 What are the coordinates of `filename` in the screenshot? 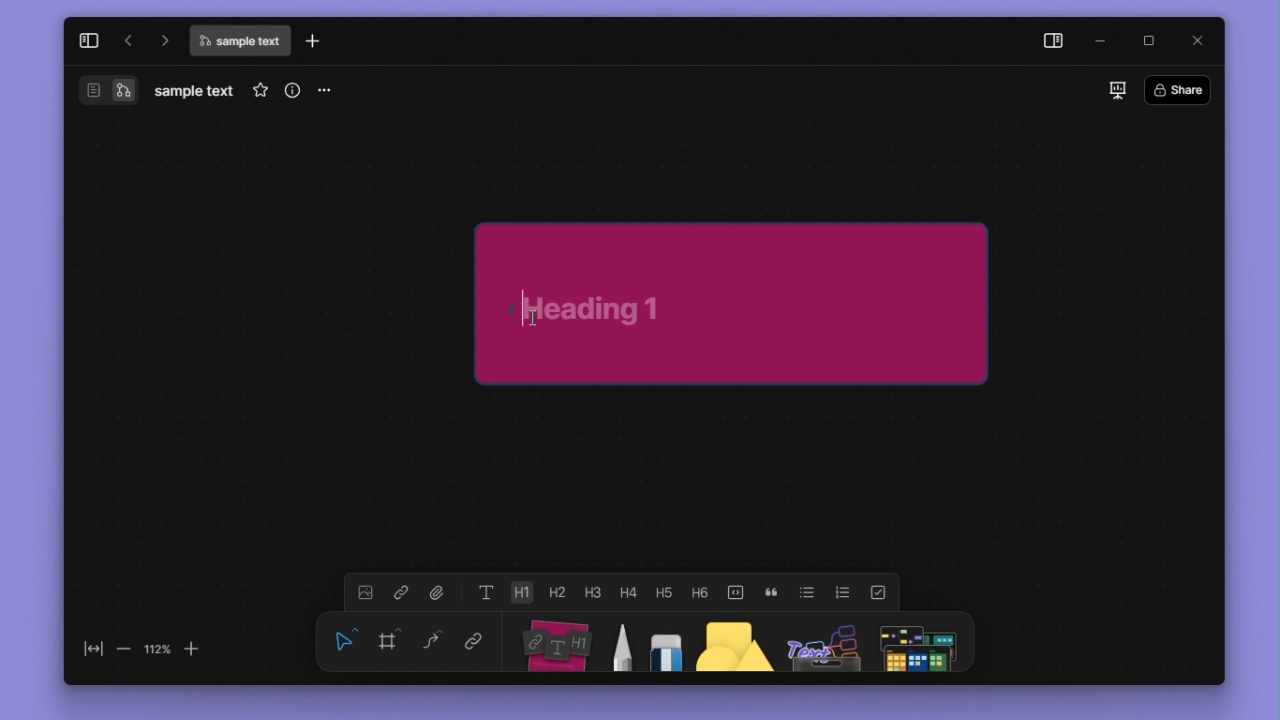 It's located at (194, 92).